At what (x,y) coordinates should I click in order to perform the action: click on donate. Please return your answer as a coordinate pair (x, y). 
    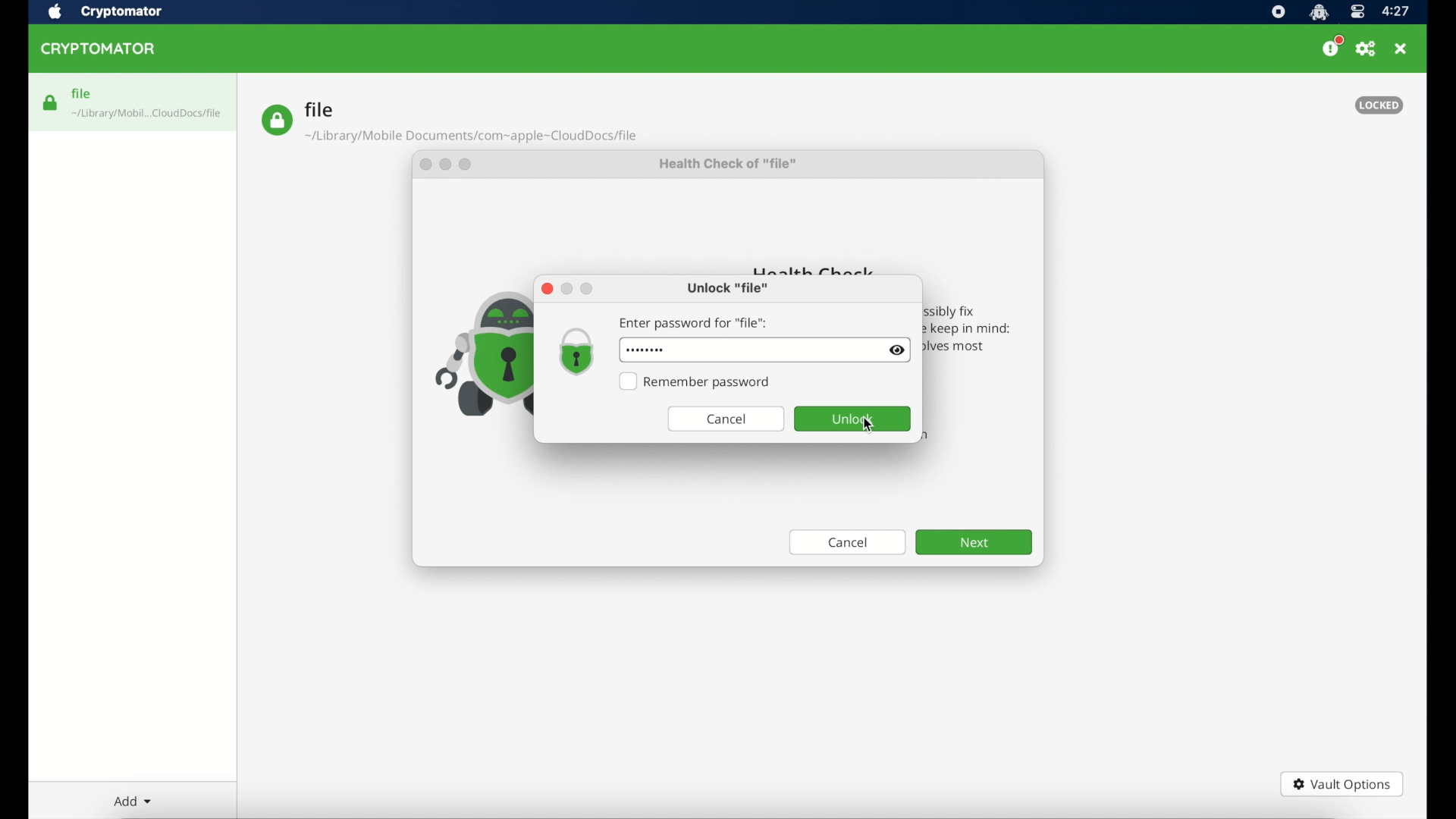
    Looking at the image, I should click on (1332, 47).